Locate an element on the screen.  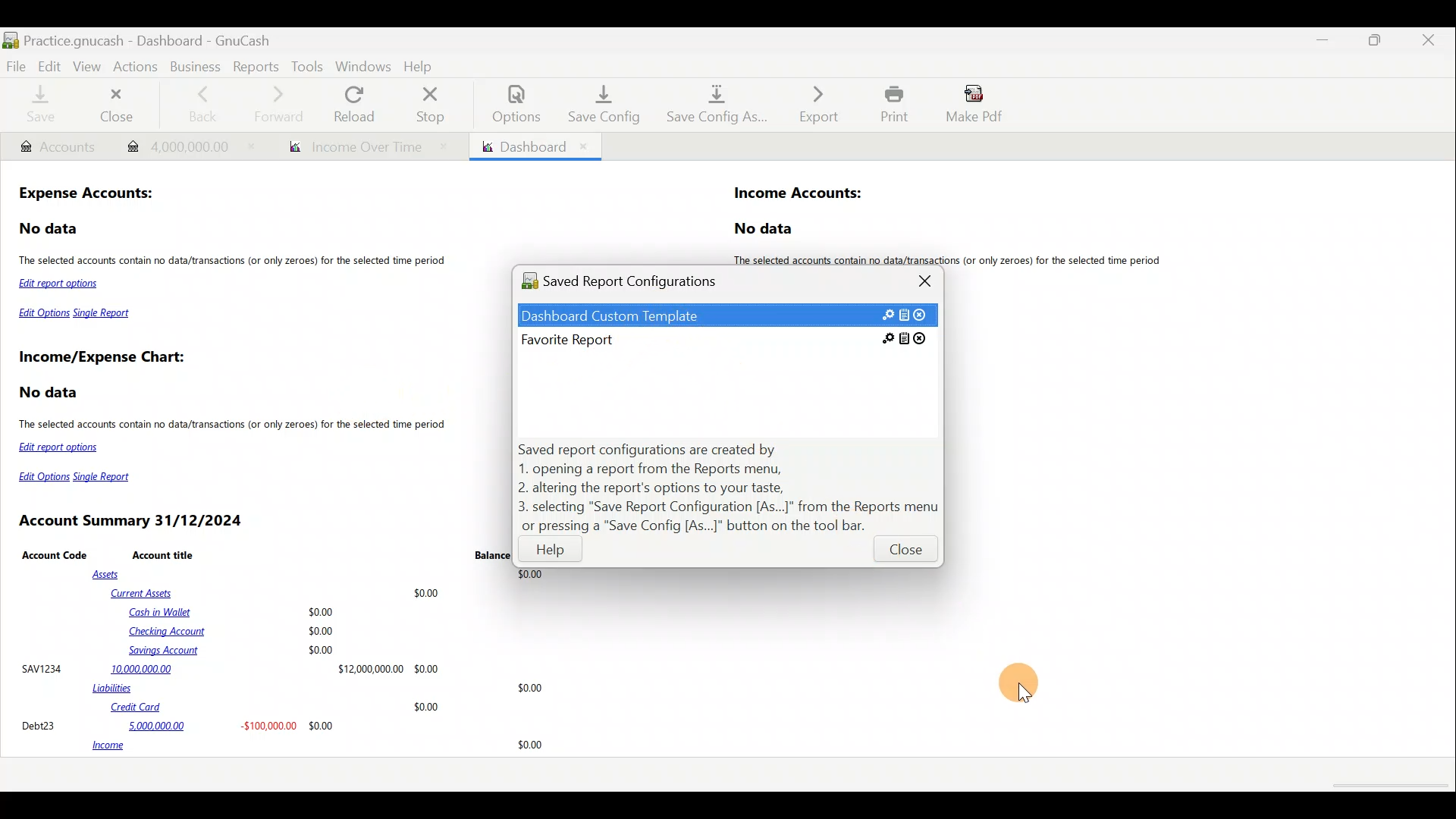
income 30.00 is located at coordinates (317, 746).